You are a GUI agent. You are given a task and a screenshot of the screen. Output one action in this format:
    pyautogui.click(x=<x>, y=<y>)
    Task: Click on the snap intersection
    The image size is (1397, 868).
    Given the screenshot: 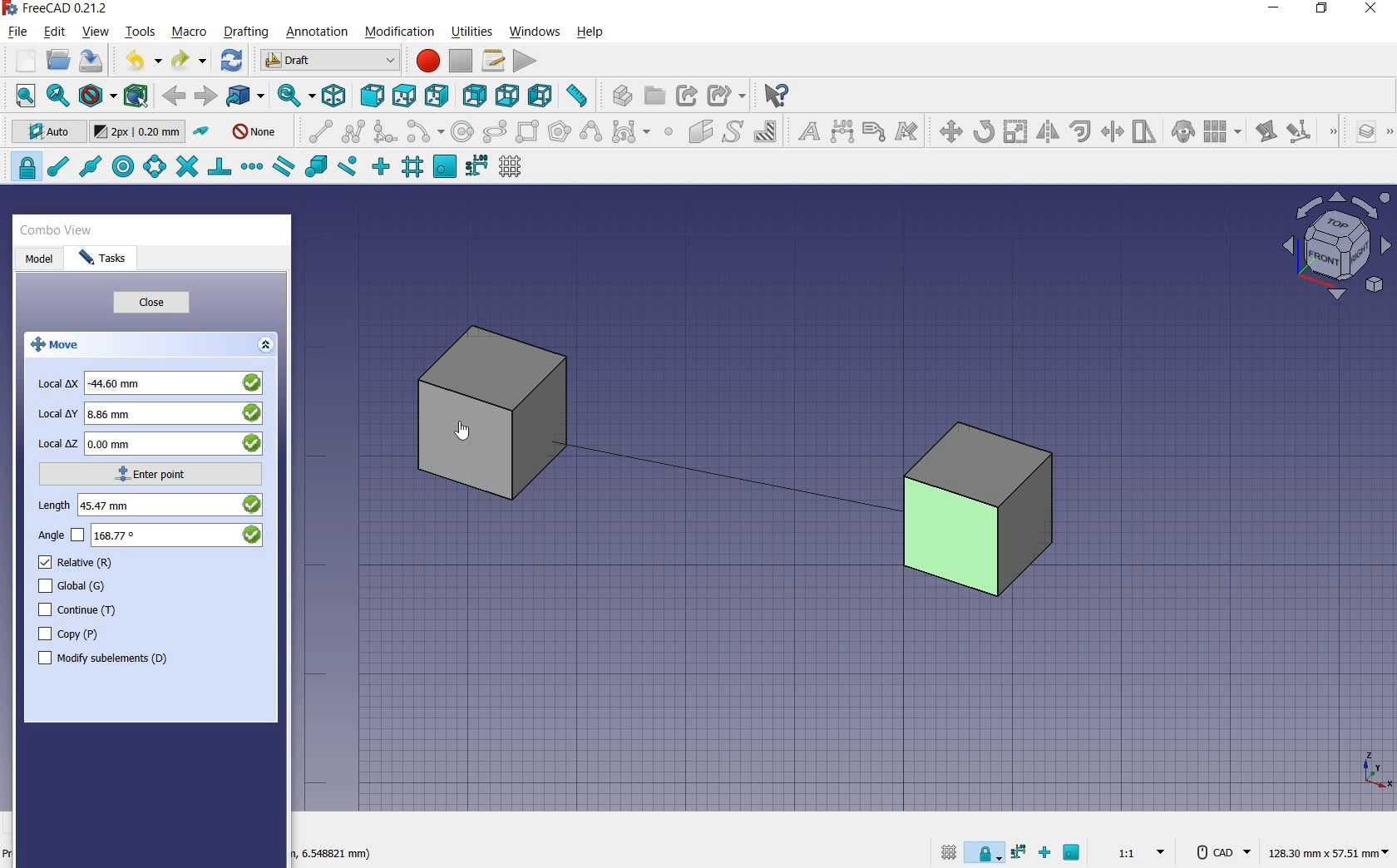 What is the action you would take?
    pyautogui.click(x=189, y=166)
    